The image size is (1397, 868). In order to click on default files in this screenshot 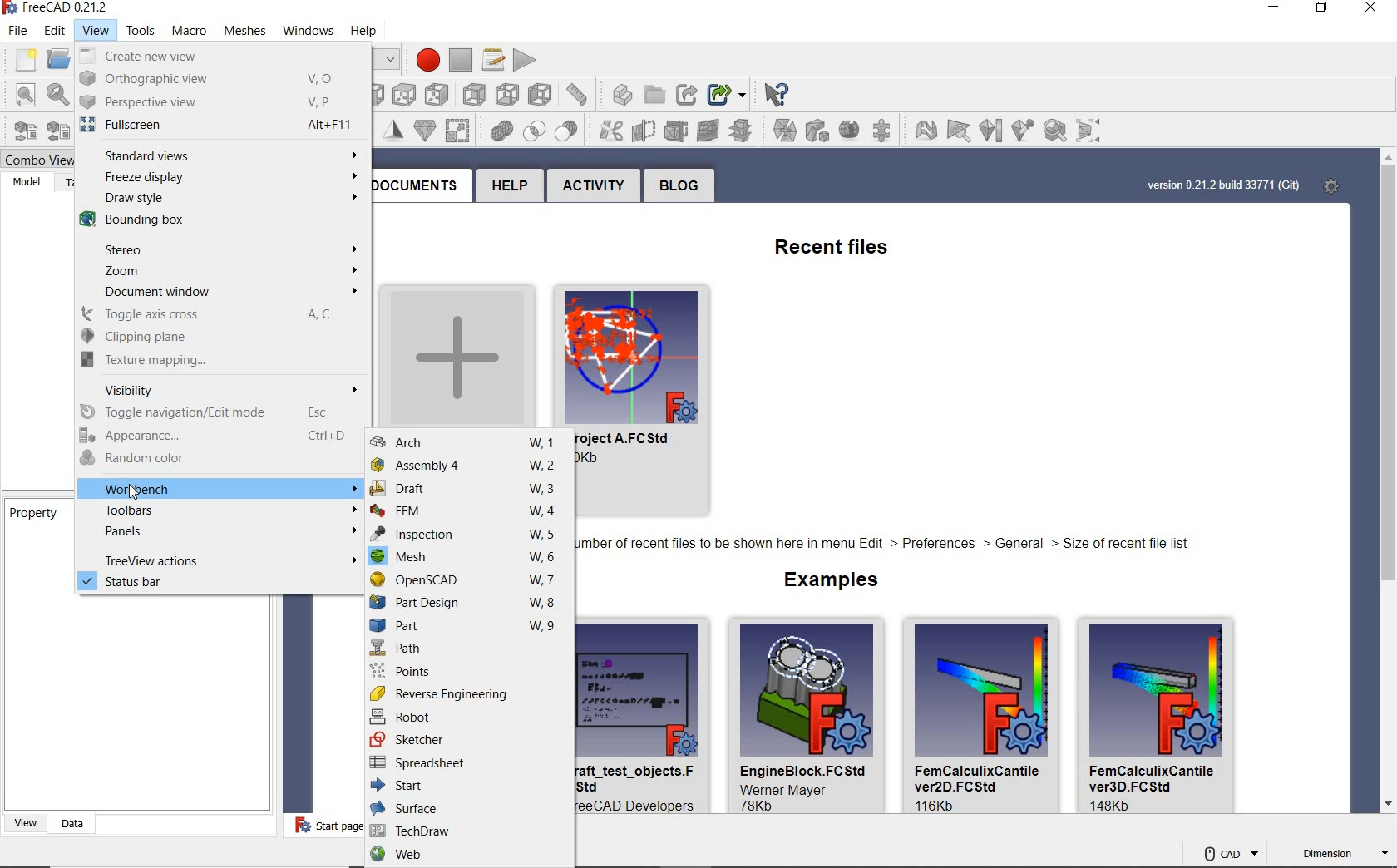, I will do `click(906, 717)`.